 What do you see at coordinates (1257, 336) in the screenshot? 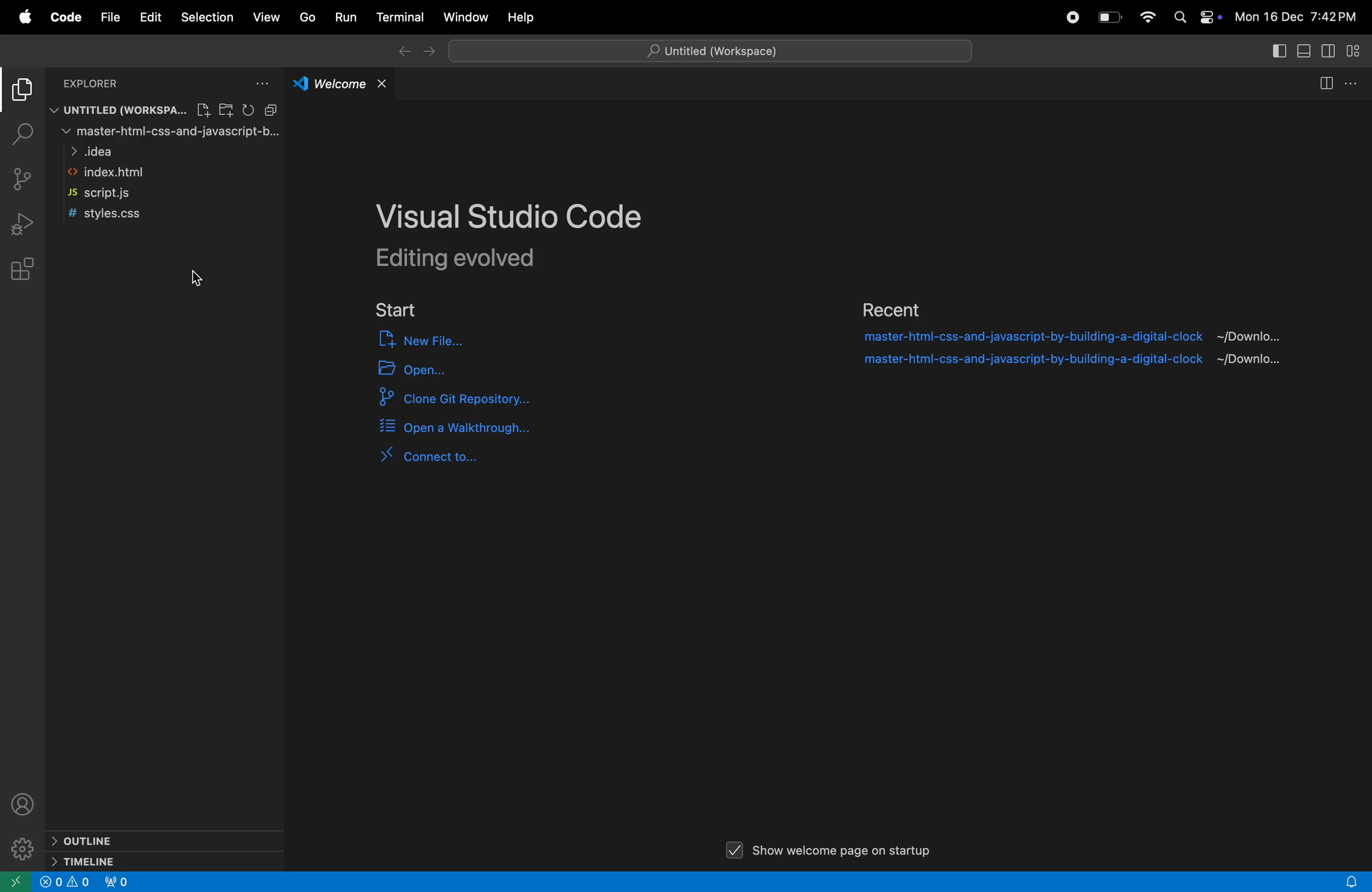
I see `~/Downlo...` at bounding box center [1257, 336].